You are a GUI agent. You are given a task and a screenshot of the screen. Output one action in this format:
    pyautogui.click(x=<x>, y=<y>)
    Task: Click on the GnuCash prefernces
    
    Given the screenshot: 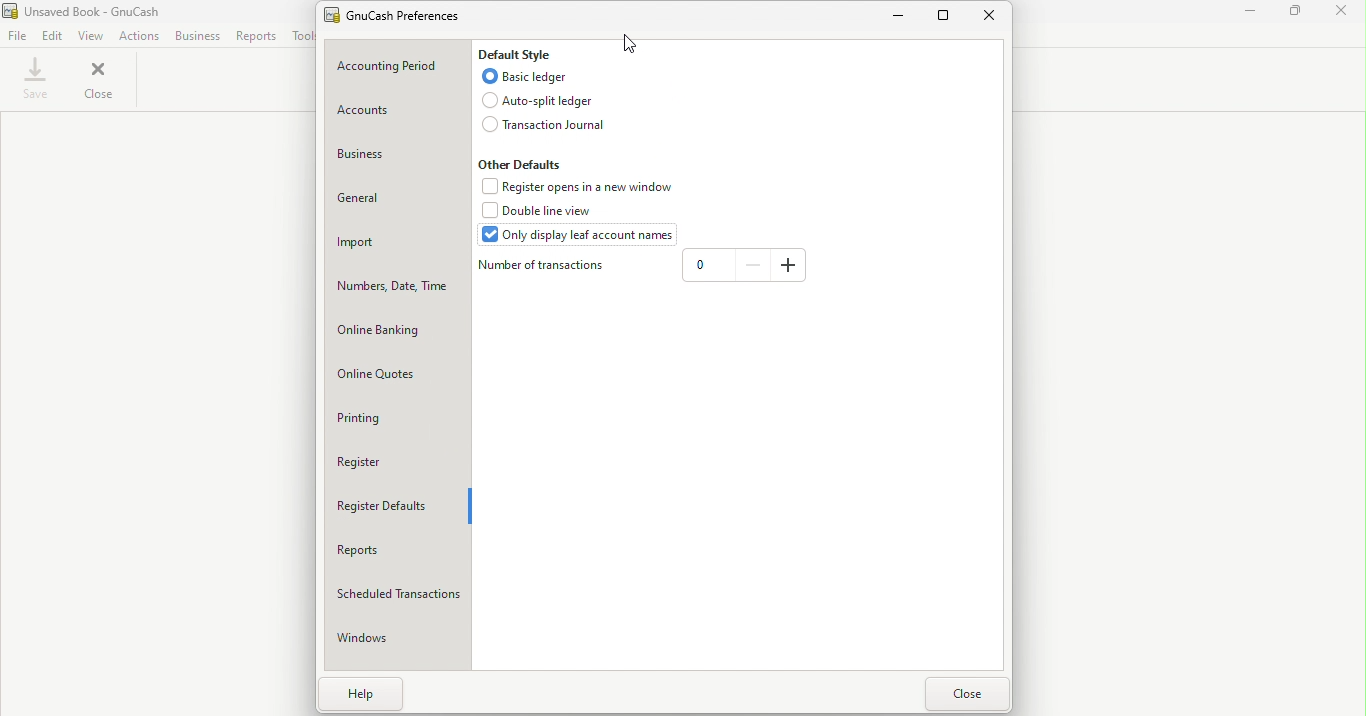 What is the action you would take?
    pyautogui.click(x=402, y=18)
    